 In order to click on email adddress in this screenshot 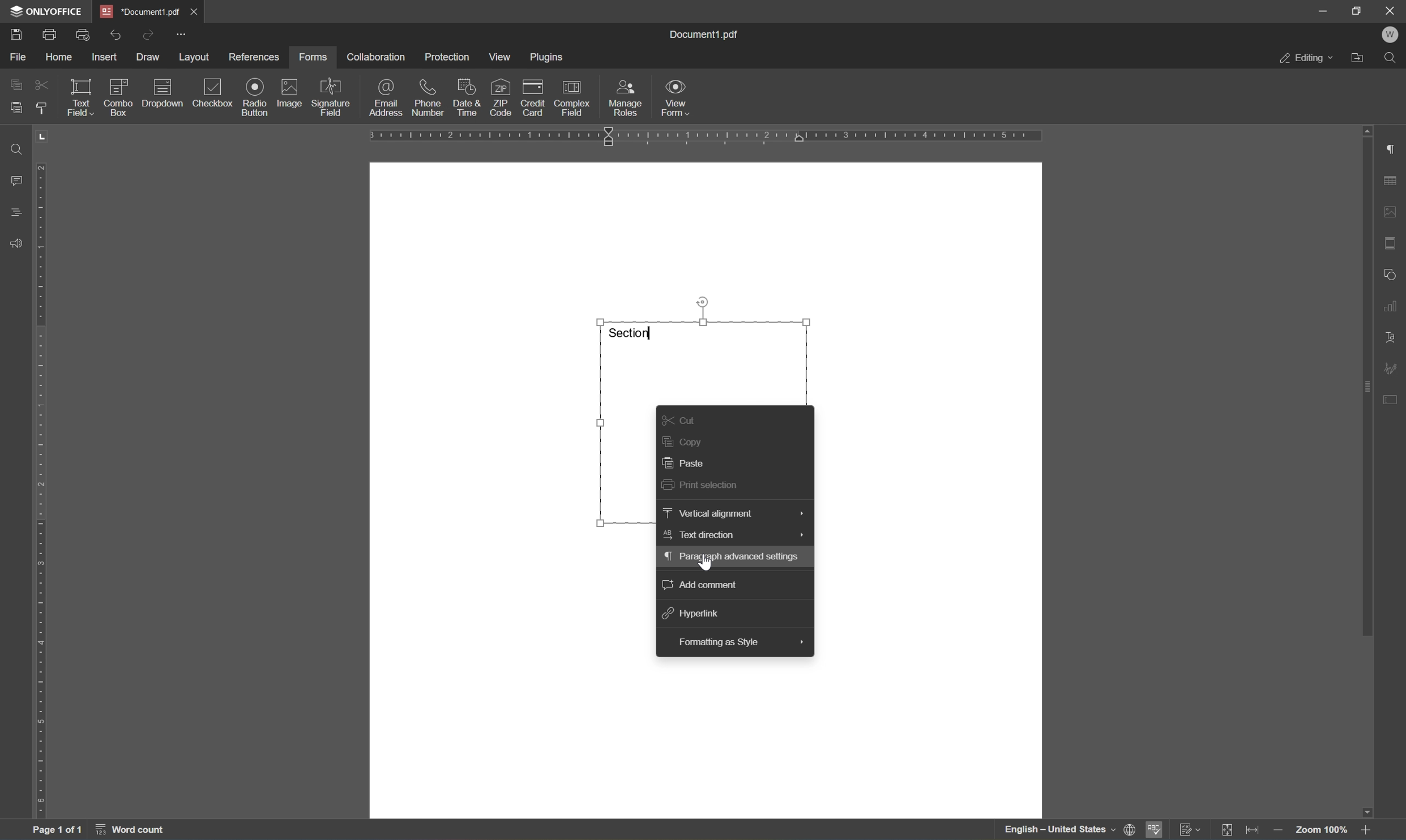, I will do `click(385, 97)`.